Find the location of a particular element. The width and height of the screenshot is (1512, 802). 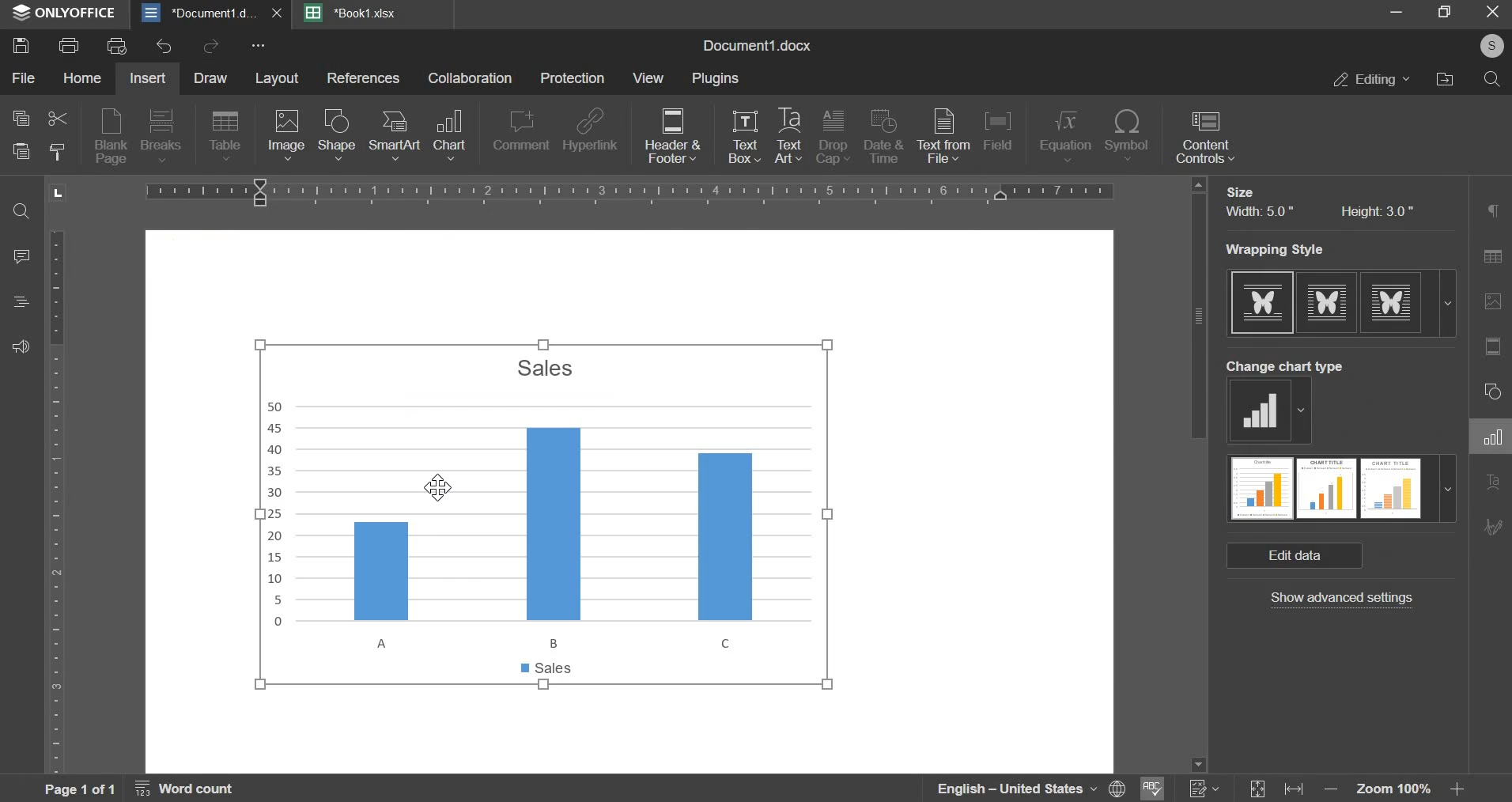

account is located at coordinates (1488, 50).